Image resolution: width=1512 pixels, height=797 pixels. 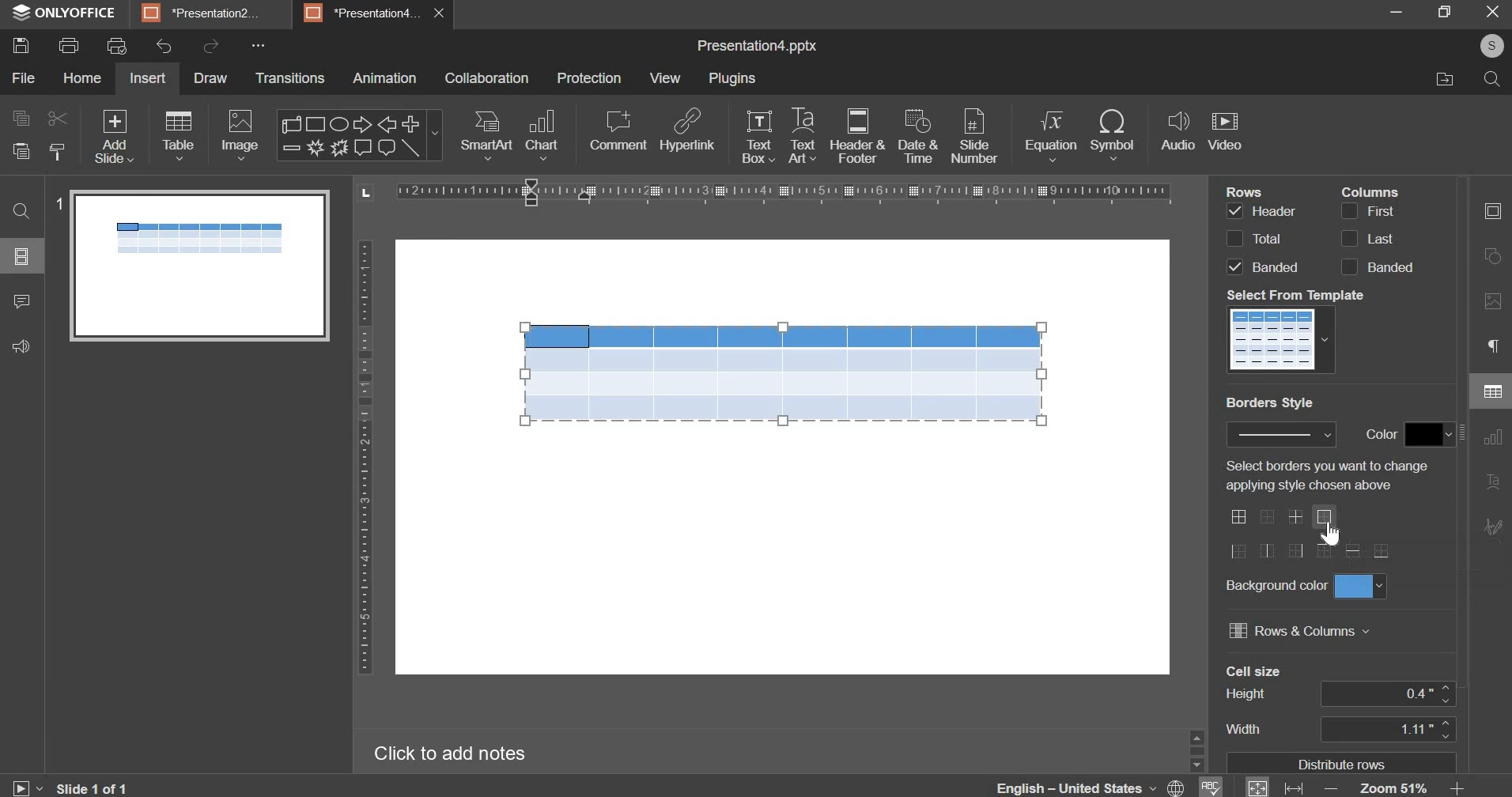 What do you see at coordinates (1496, 391) in the screenshot?
I see `table settings` at bounding box center [1496, 391].